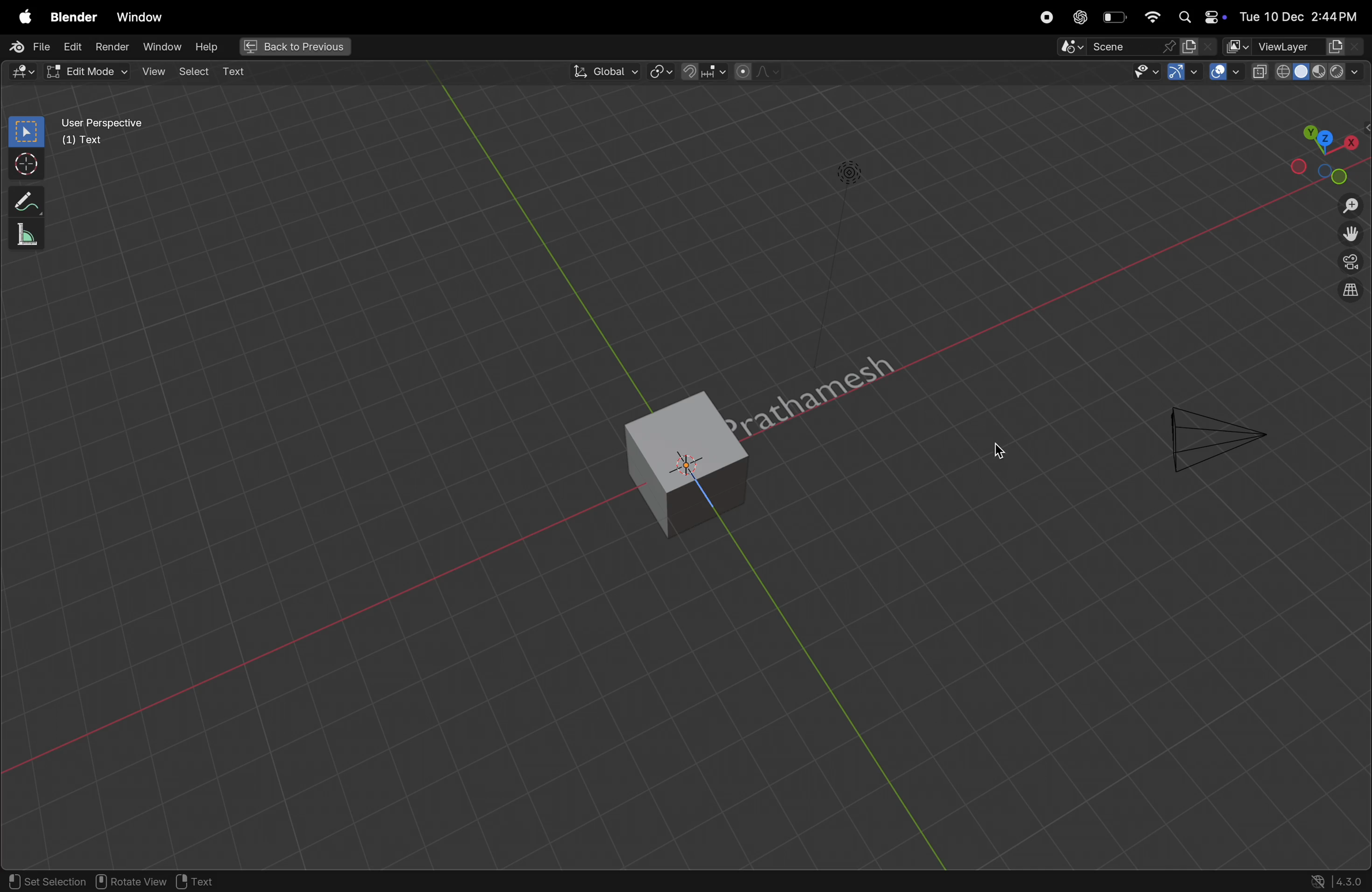 The height and width of the screenshot is (892, 1372). I want to click on move the view, so click(1350, 236).